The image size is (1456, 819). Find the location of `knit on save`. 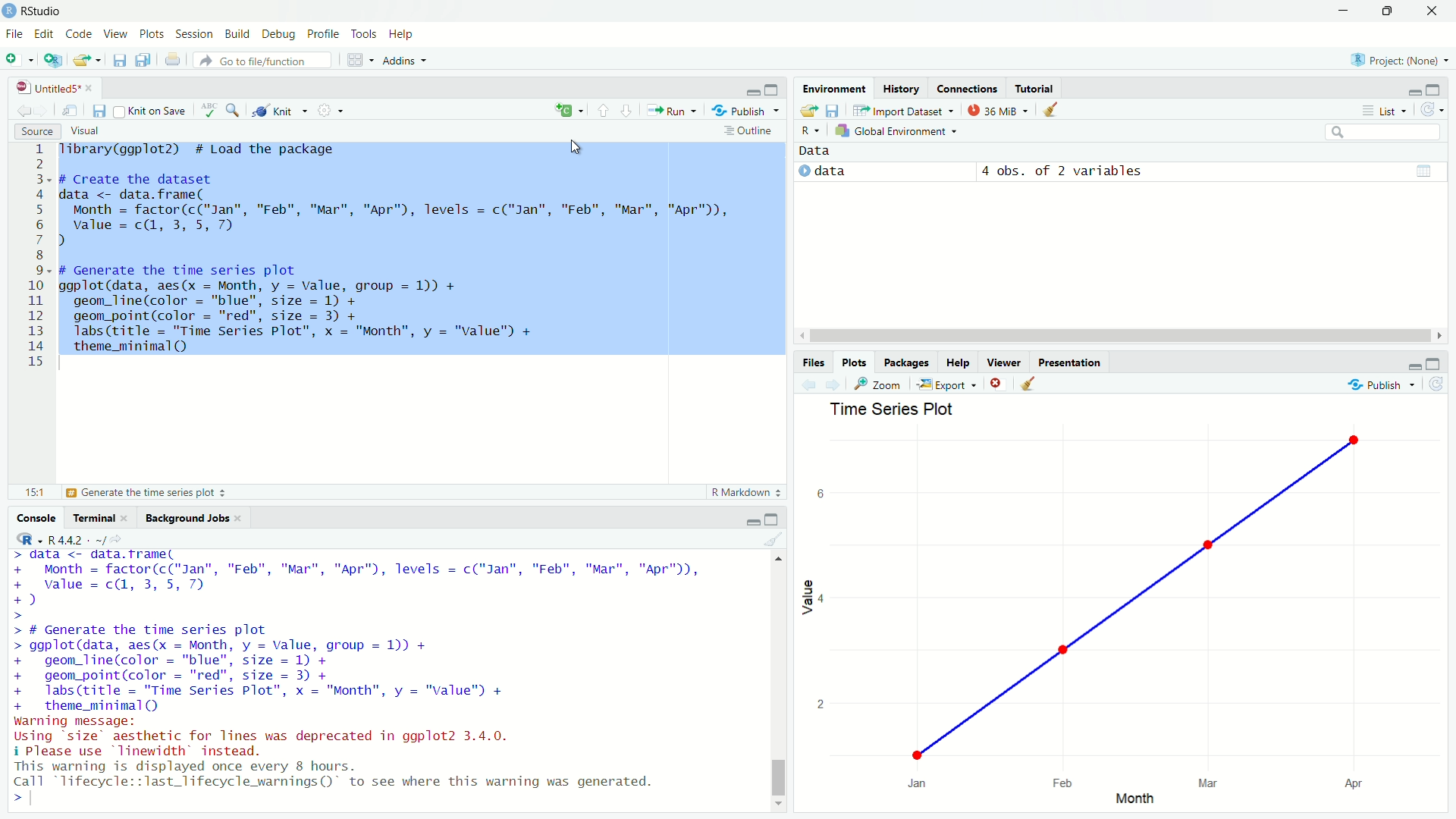

knit on save is located at coordinates (150, 111).